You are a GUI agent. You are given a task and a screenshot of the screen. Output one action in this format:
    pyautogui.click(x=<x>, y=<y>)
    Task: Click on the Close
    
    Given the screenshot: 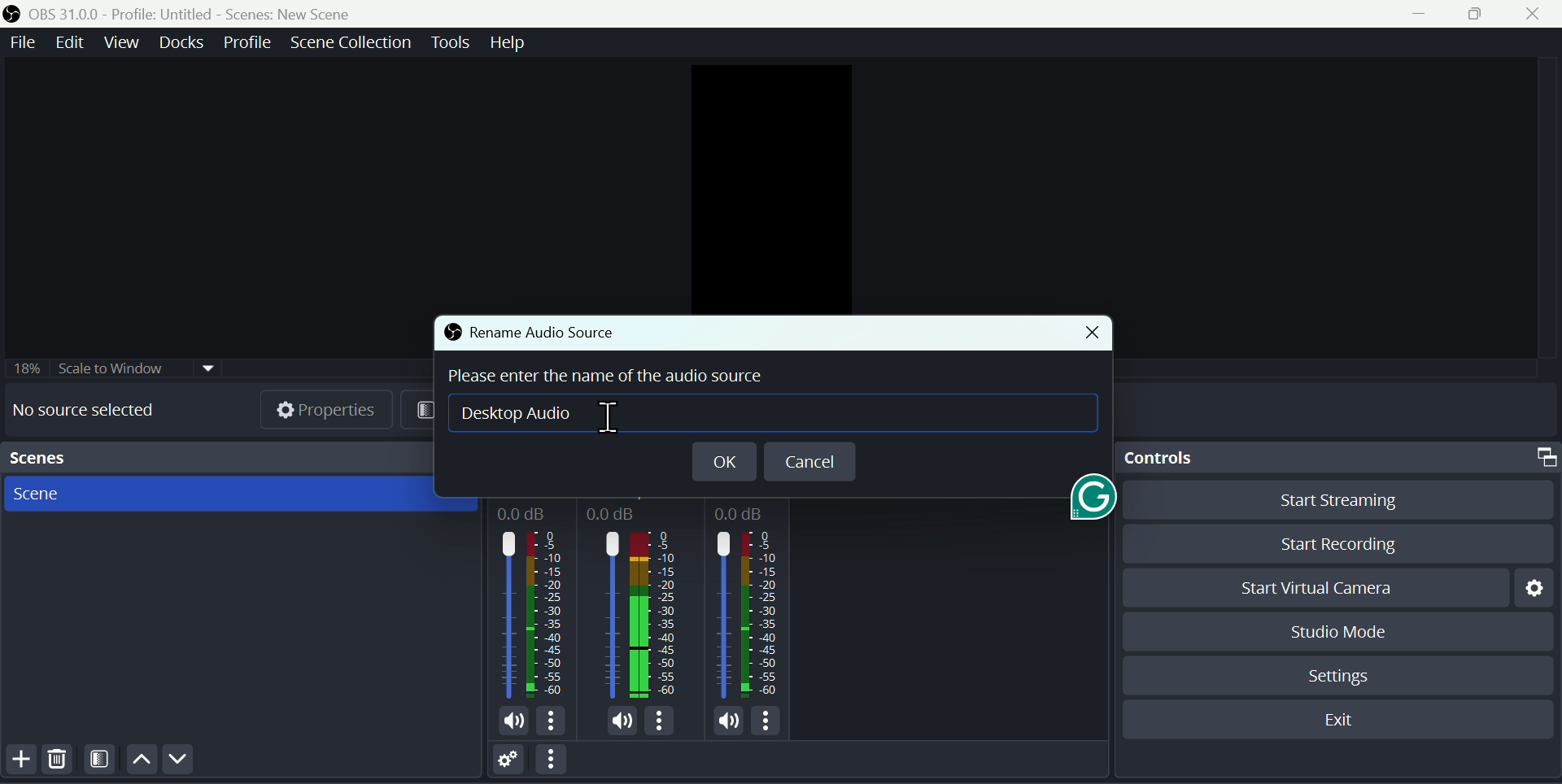 What is the action you would take?
    pyautogui.click(x=1537, y=15)
    